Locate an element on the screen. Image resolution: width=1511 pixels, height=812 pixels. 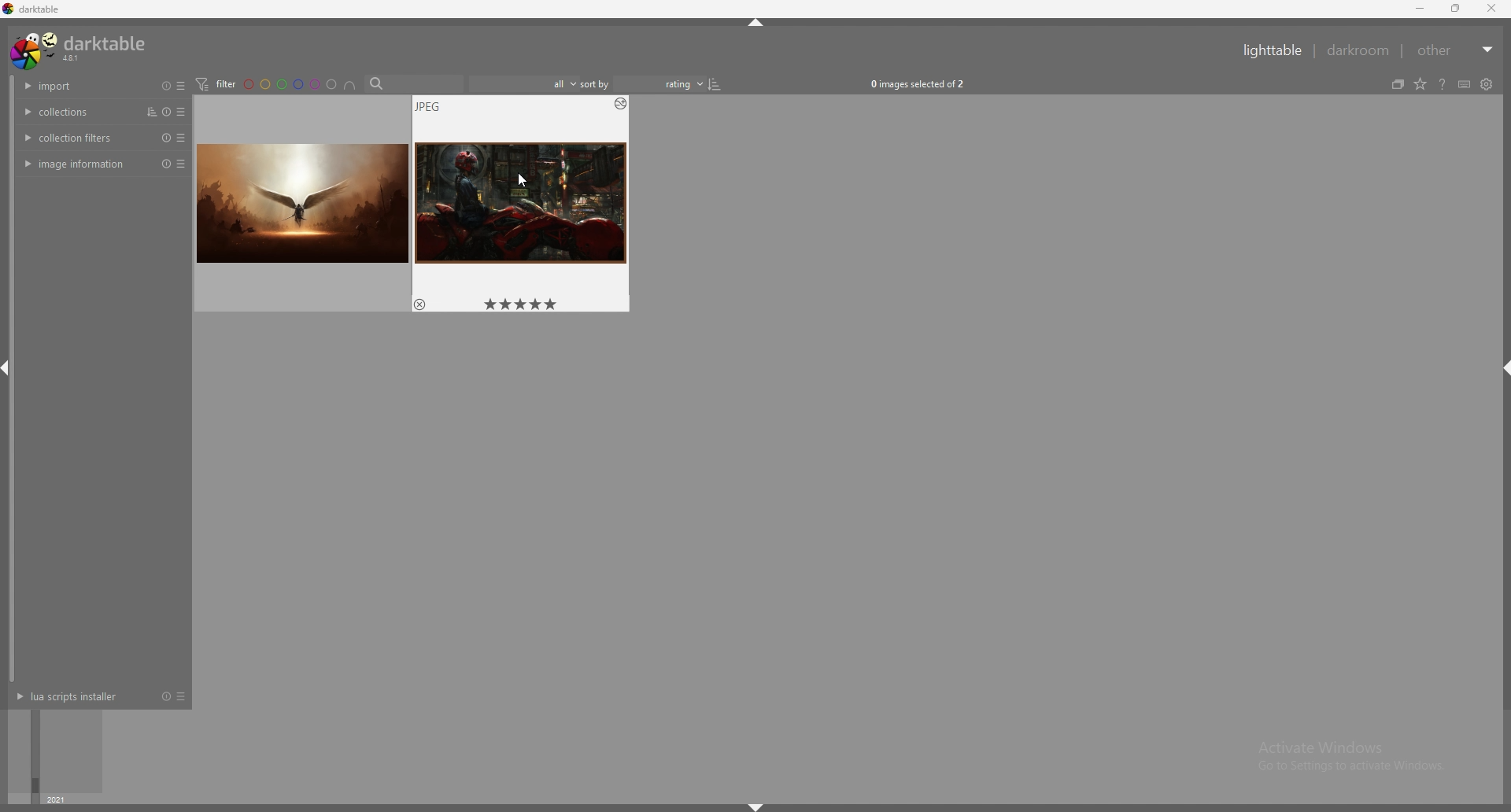
filter is located at coordinates (216, 83).